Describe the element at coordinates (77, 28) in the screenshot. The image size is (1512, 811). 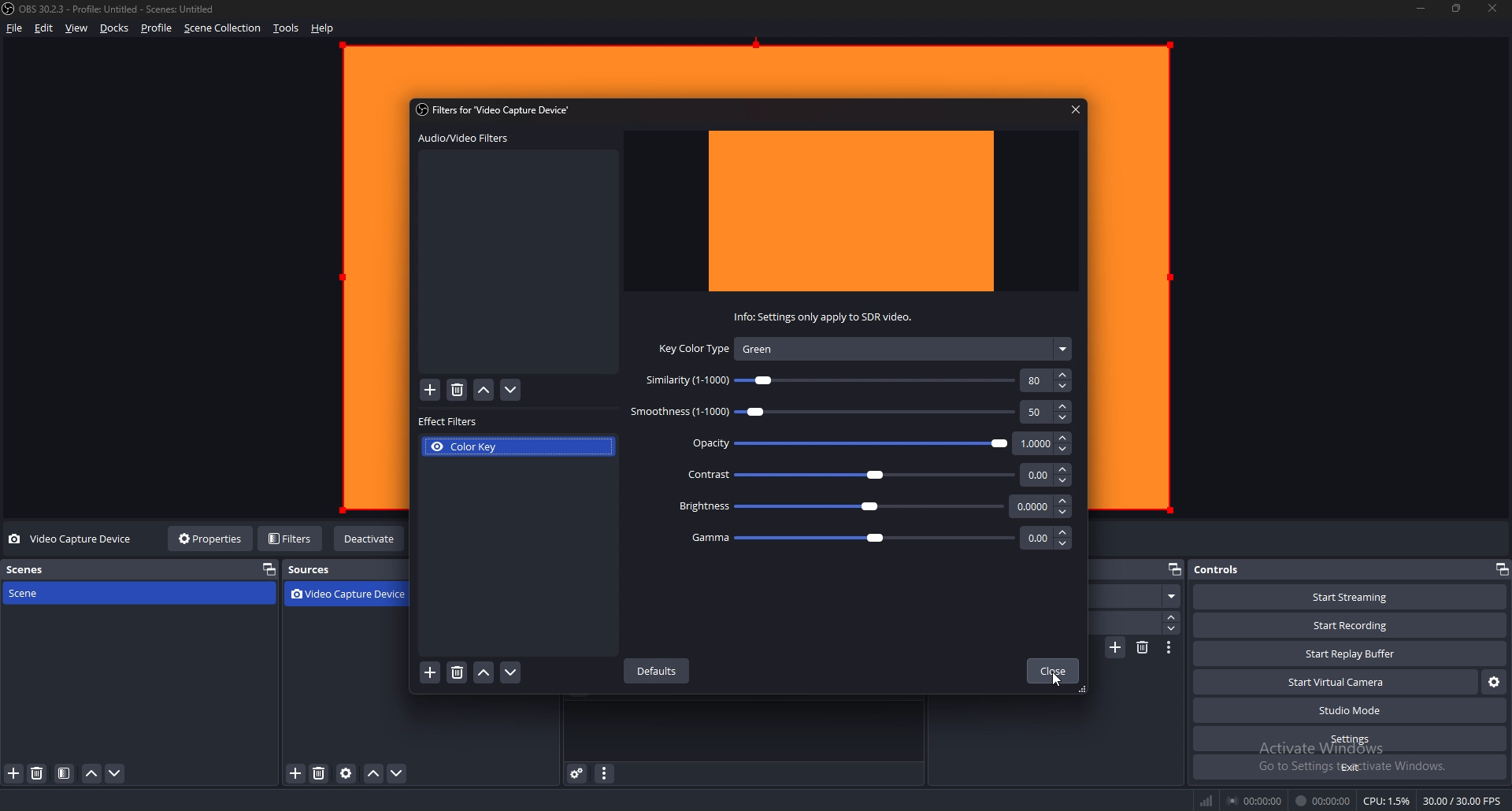
I see `view` at that location.